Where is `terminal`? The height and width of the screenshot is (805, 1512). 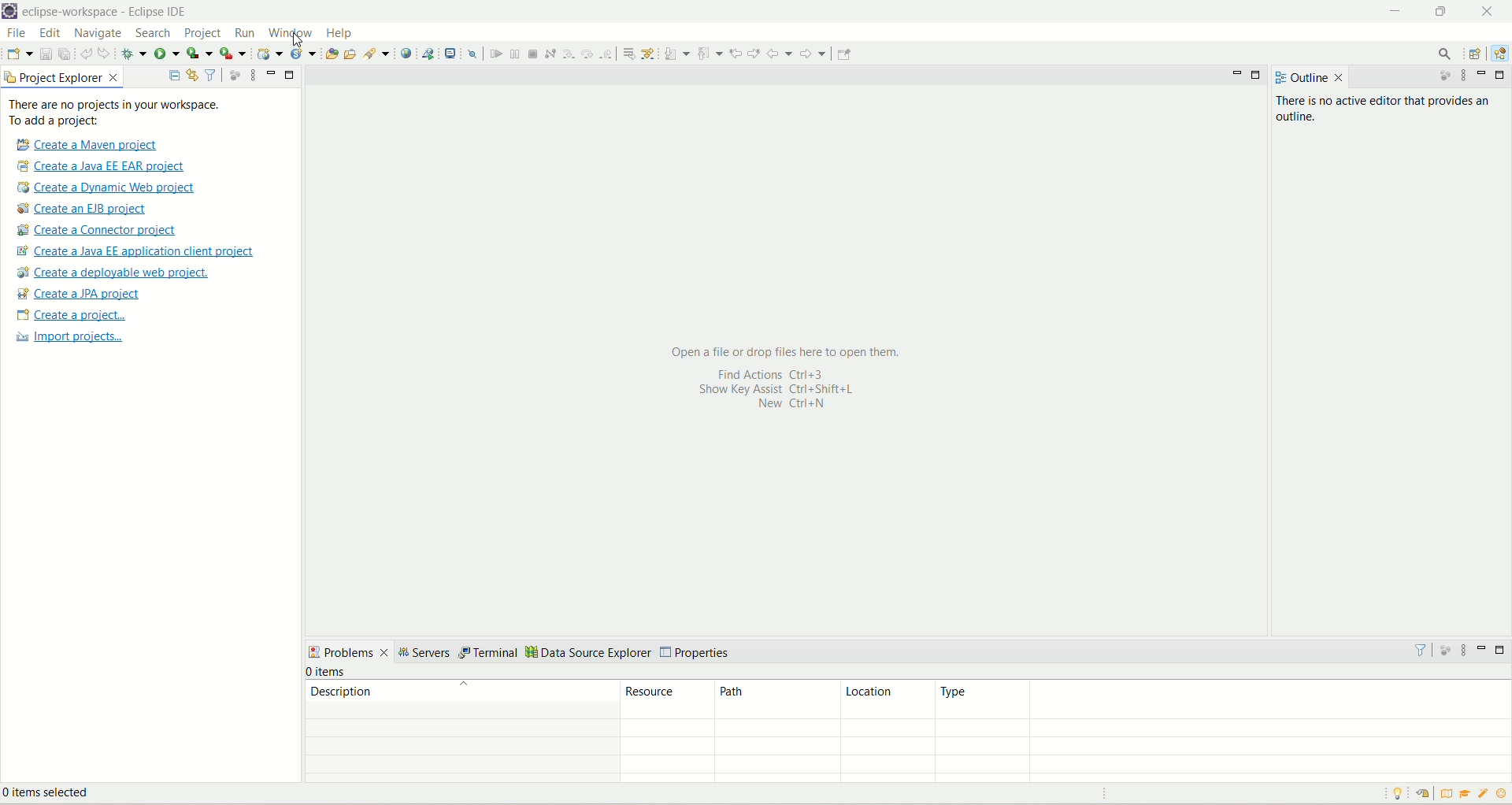
terminal is located at coordinates (490, 654).